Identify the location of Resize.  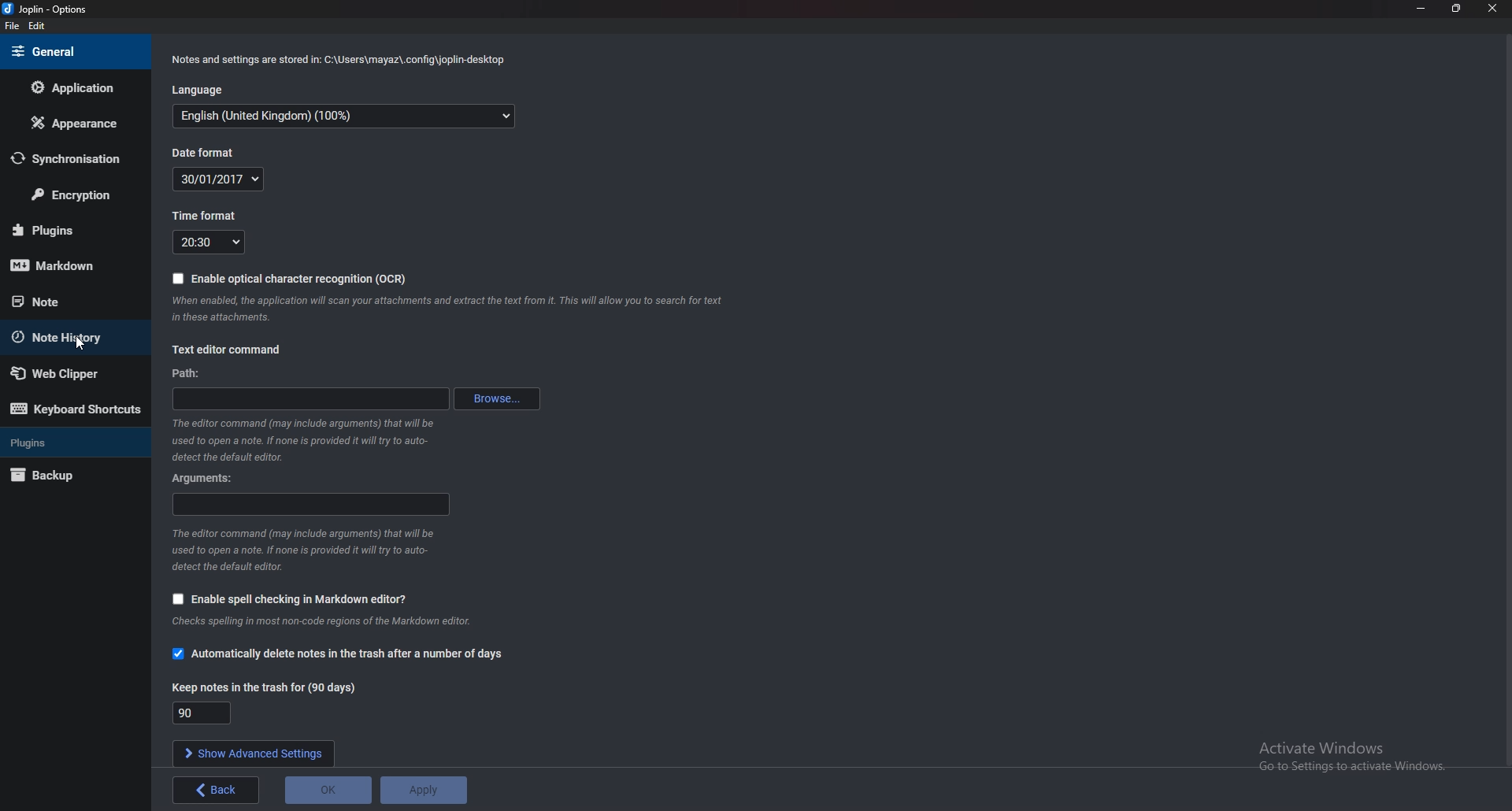
(1458, 9).